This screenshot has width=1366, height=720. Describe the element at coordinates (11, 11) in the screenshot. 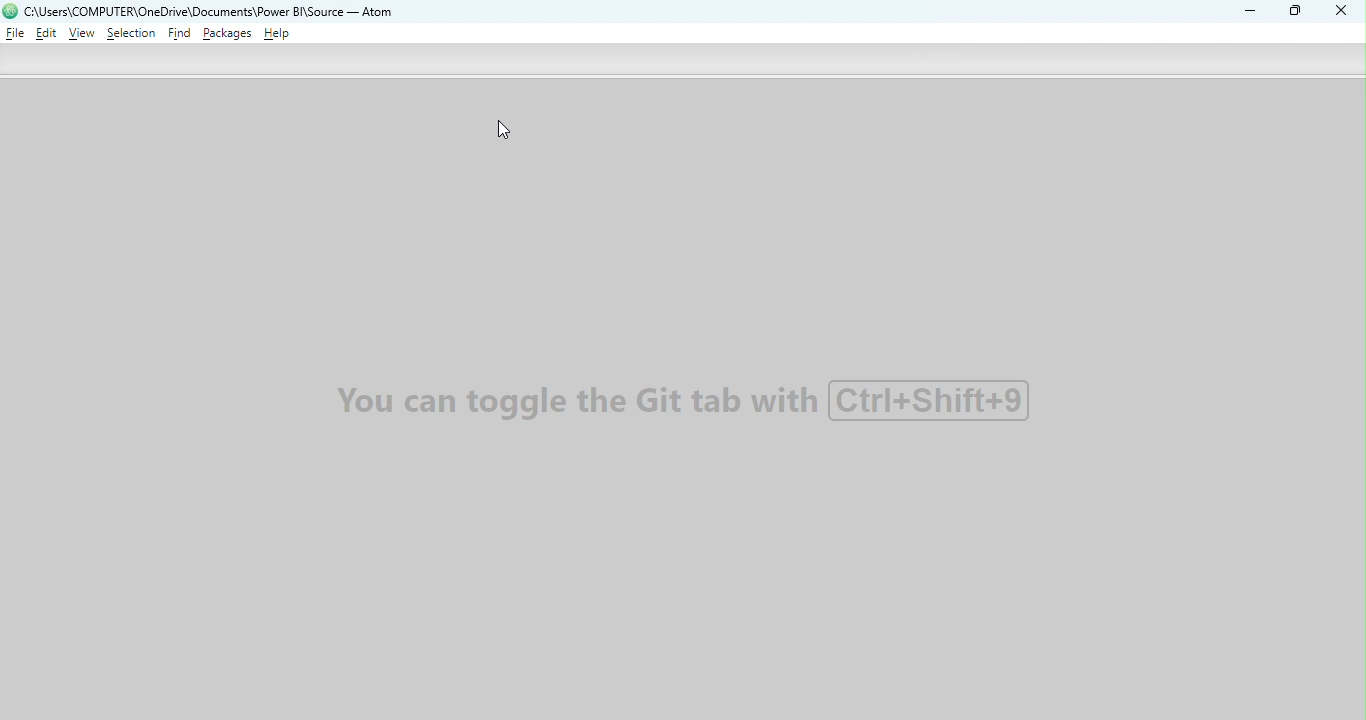

I see `logo ` at that location.